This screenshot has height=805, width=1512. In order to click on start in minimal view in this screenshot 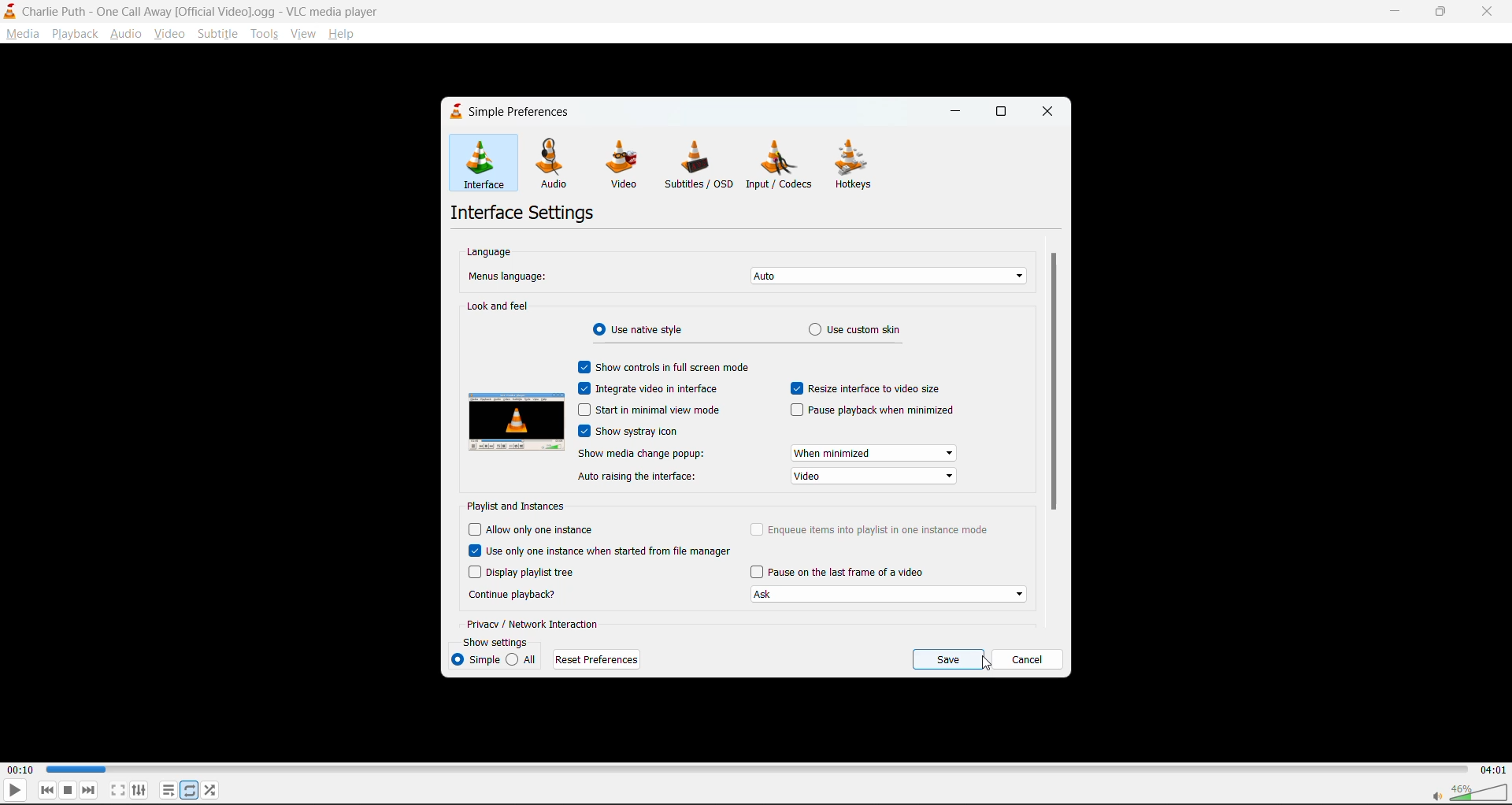, I will do `click(661, 410)`.